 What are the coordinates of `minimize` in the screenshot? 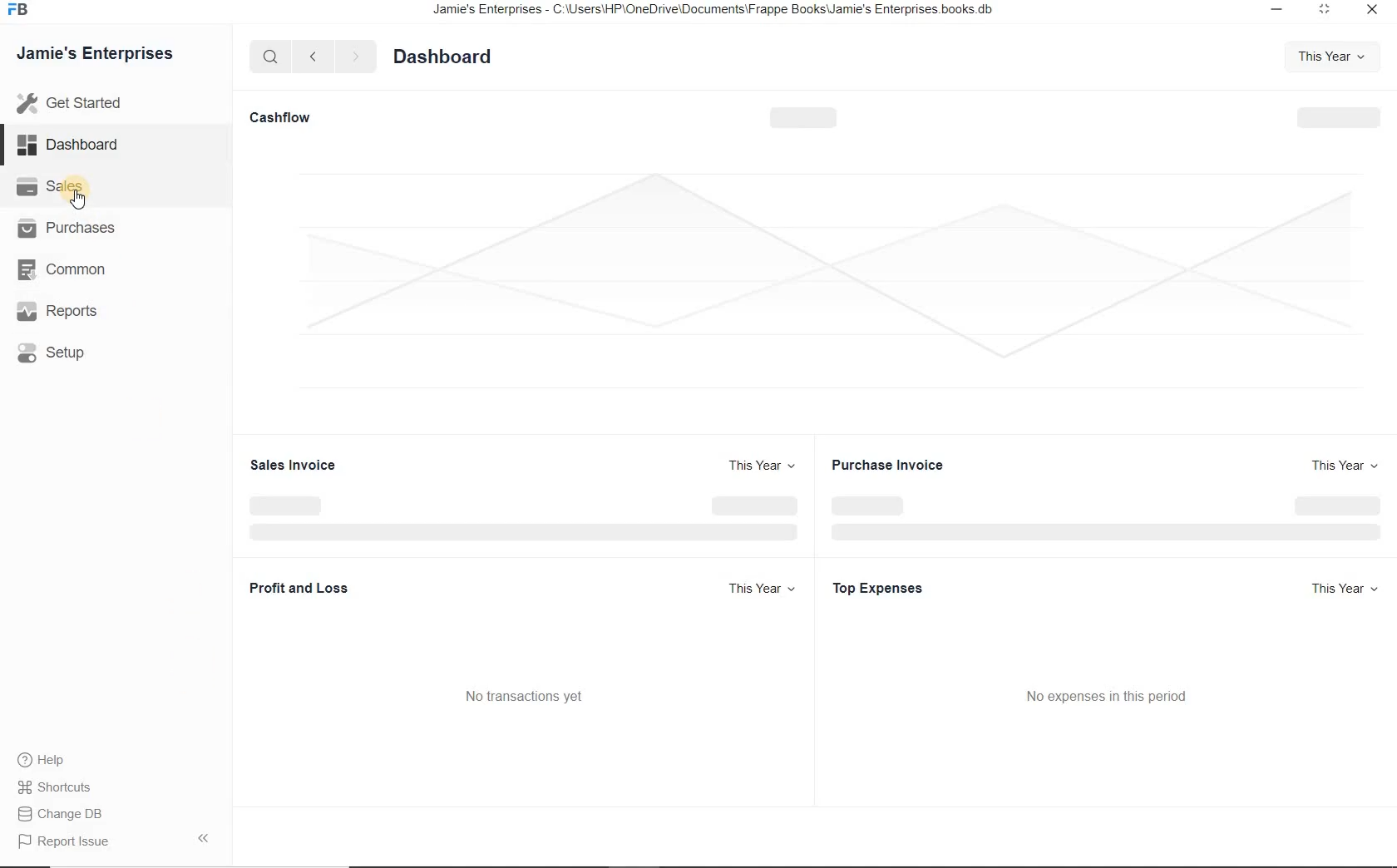 It's located at (1324, 12).